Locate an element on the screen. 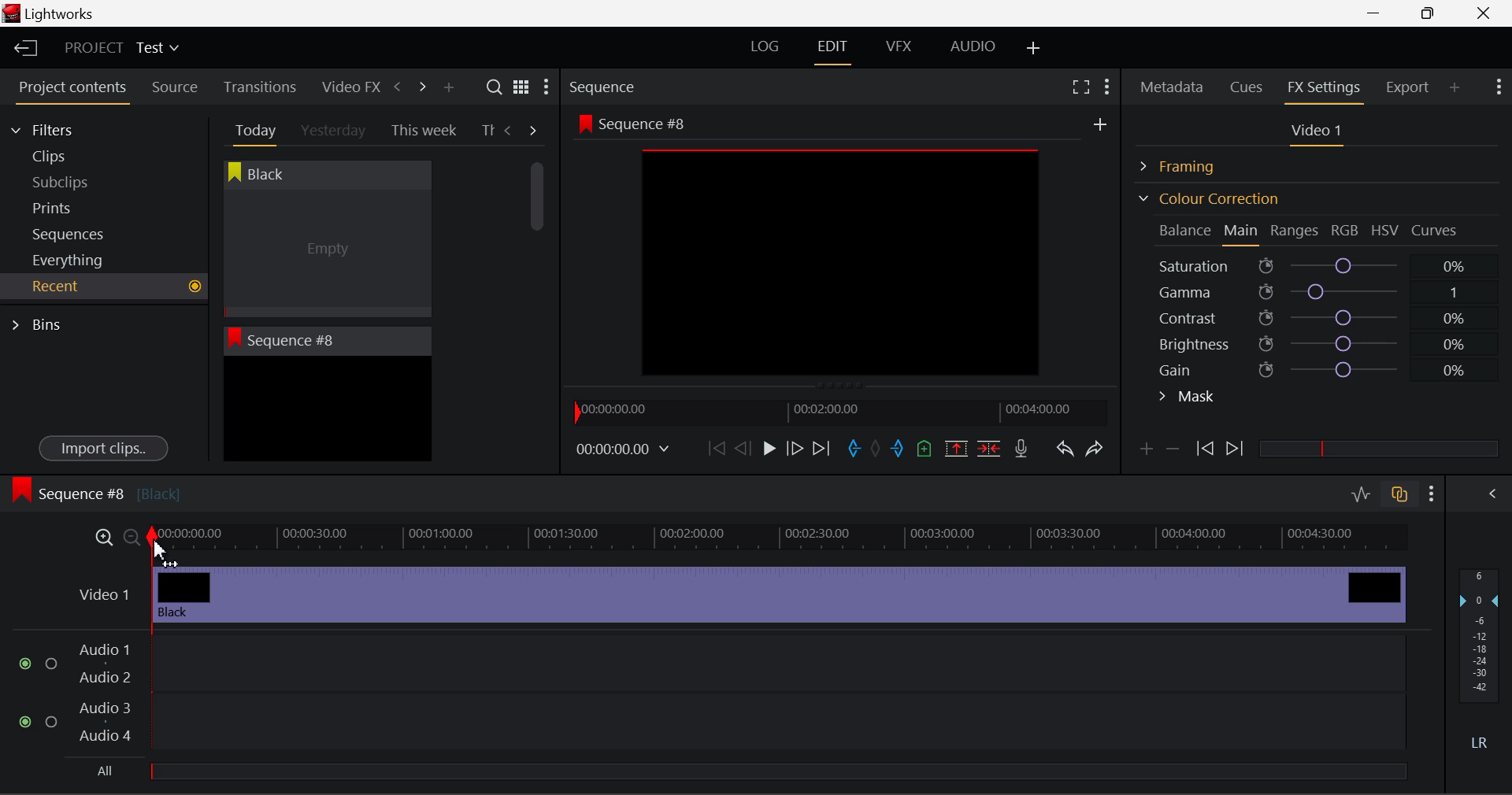 The image size is (1512, 795). Balance Section is located at coordinates (1187, 230).